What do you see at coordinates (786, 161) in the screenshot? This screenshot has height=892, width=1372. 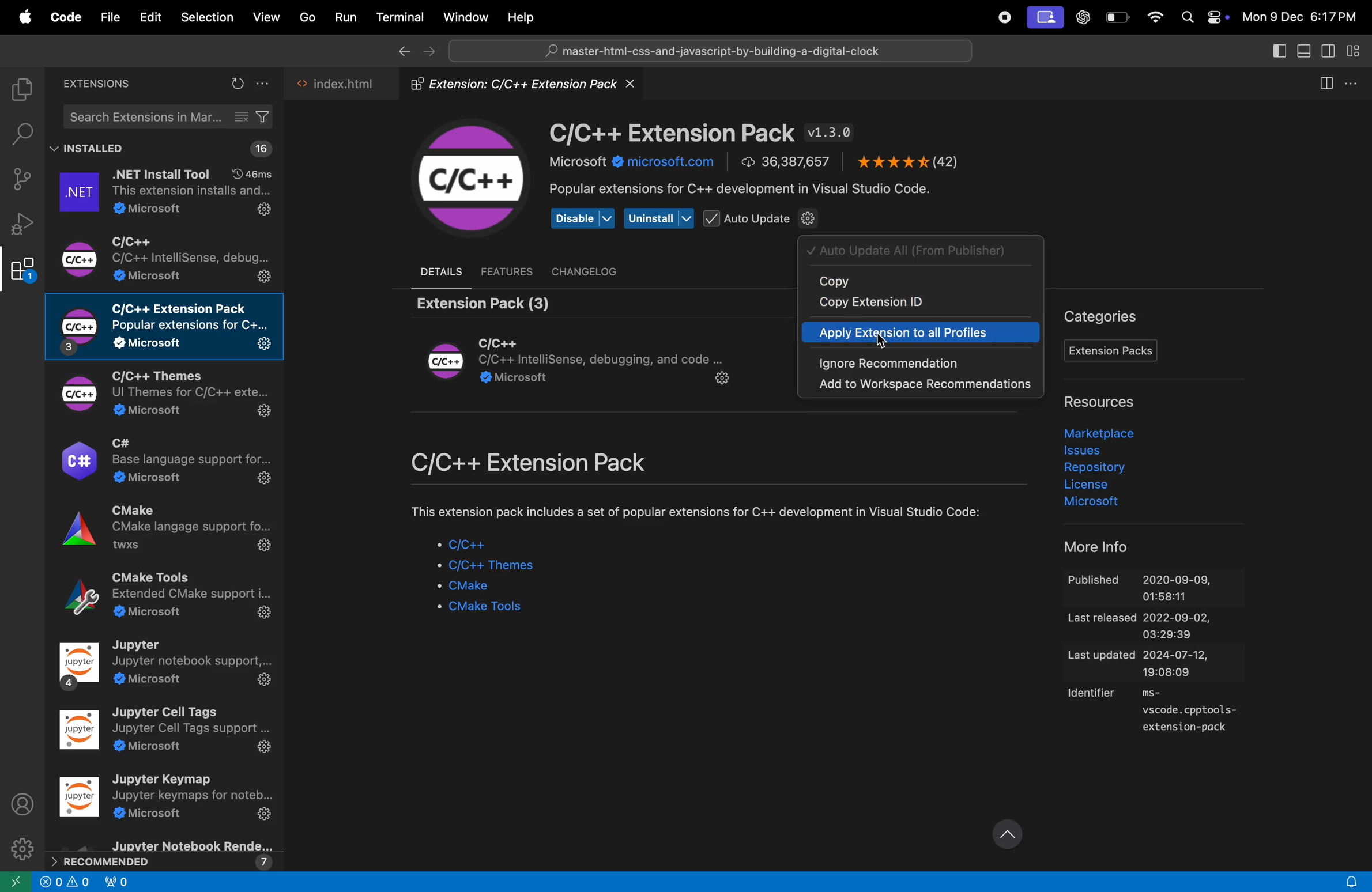 I see `number of downloads` at bounding box center [786, 161].